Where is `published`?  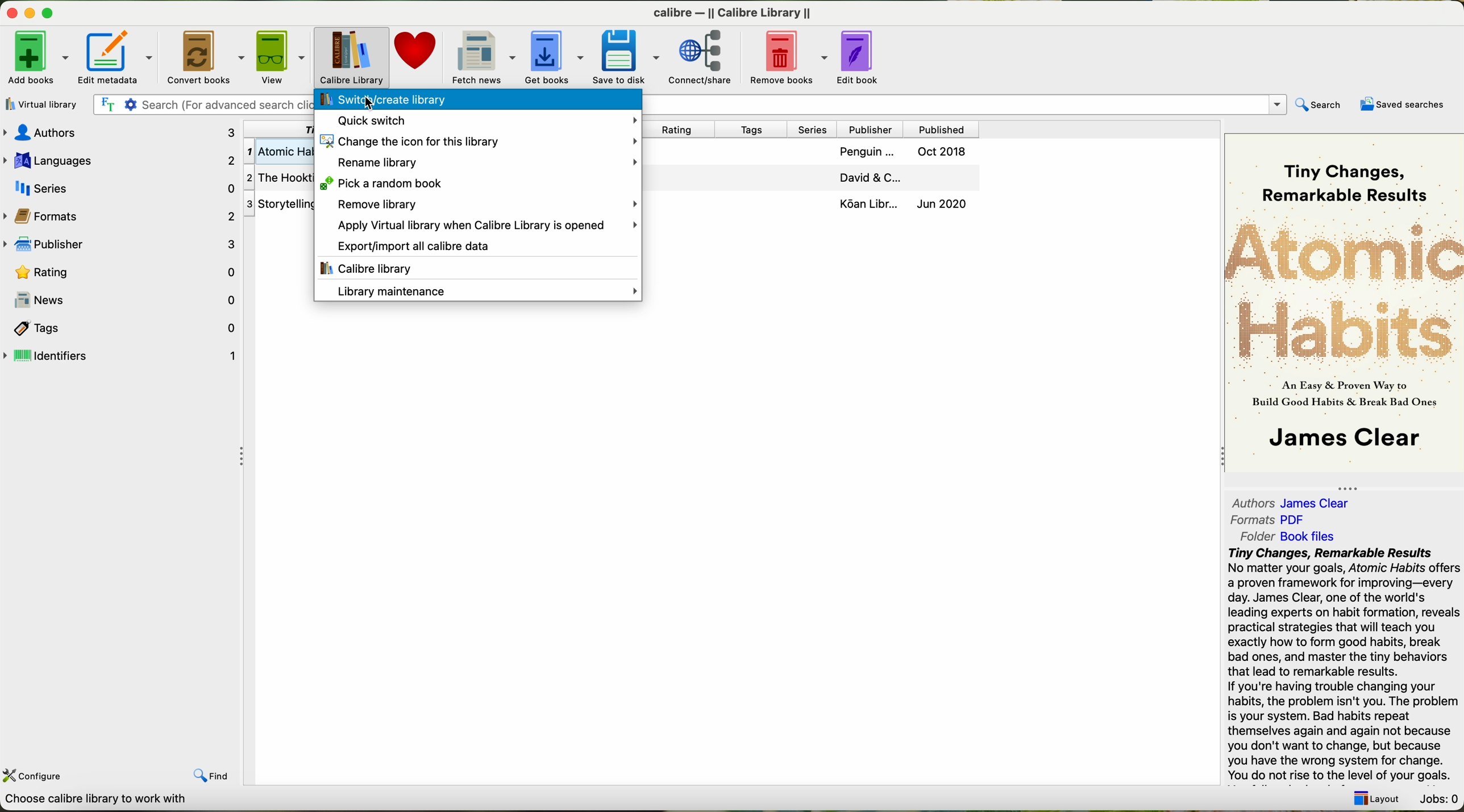
published is located at coordinates (944, 130).